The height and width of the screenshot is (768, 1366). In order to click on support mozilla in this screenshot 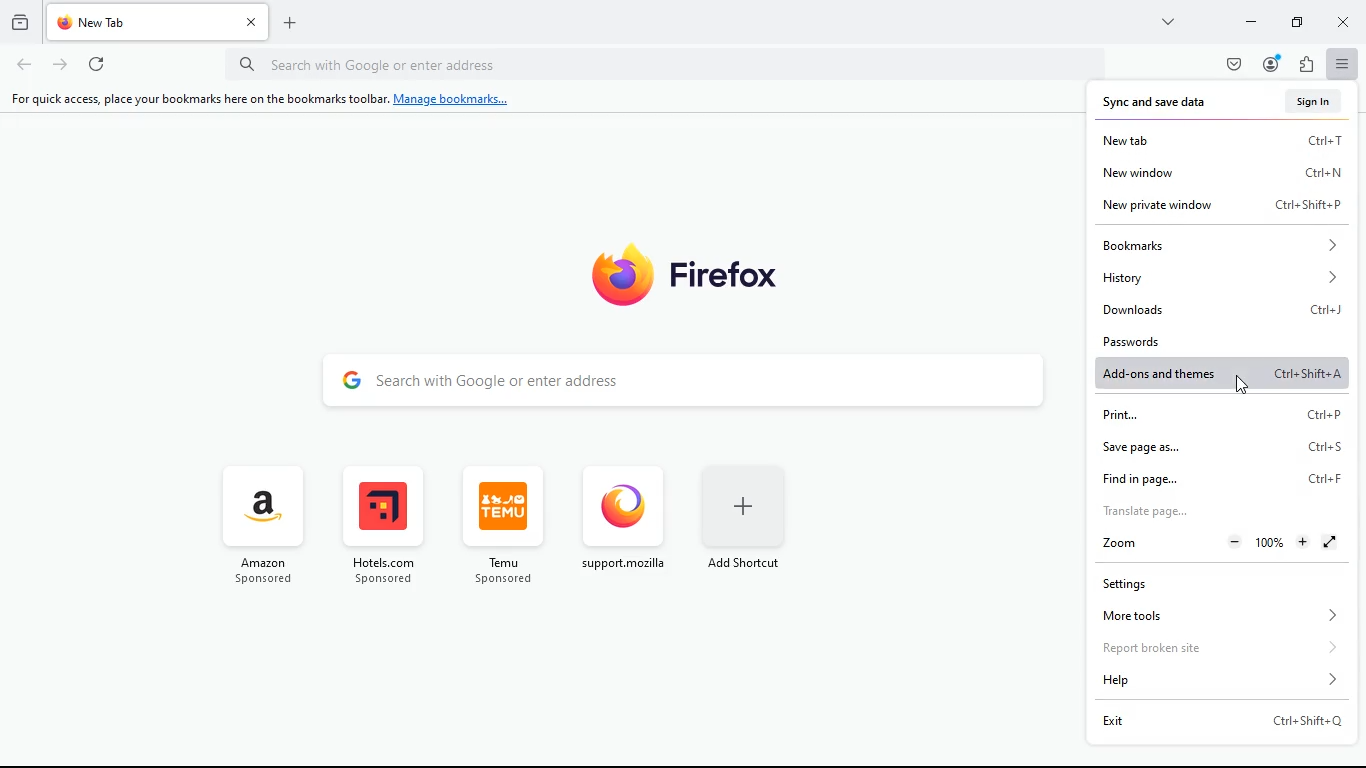, I will do `click(621, 517)`.